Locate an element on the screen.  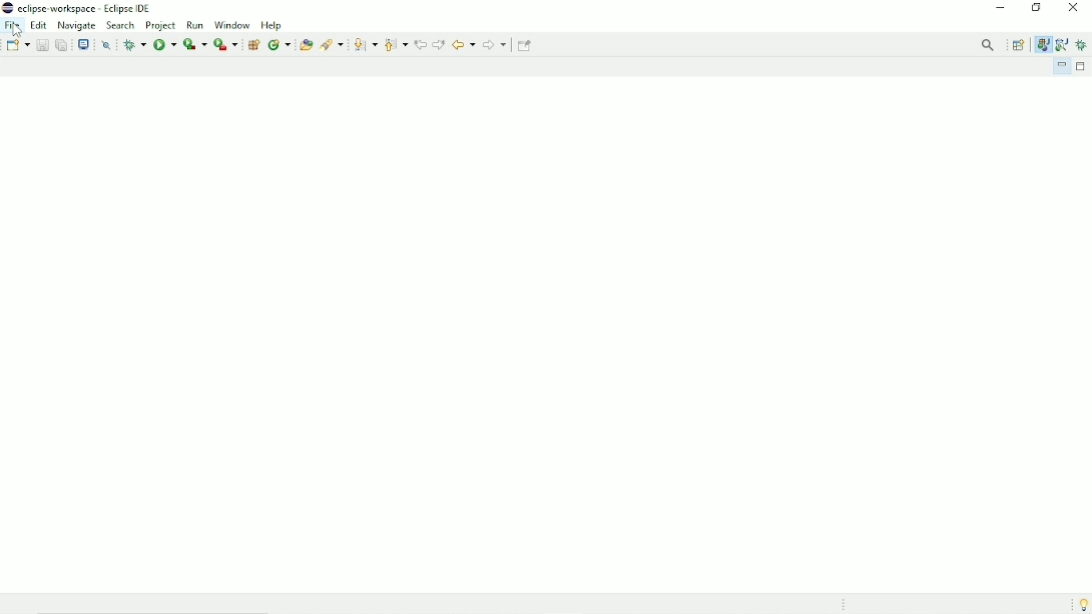
Skip all breakpoints is located at coordinates (106, 45).